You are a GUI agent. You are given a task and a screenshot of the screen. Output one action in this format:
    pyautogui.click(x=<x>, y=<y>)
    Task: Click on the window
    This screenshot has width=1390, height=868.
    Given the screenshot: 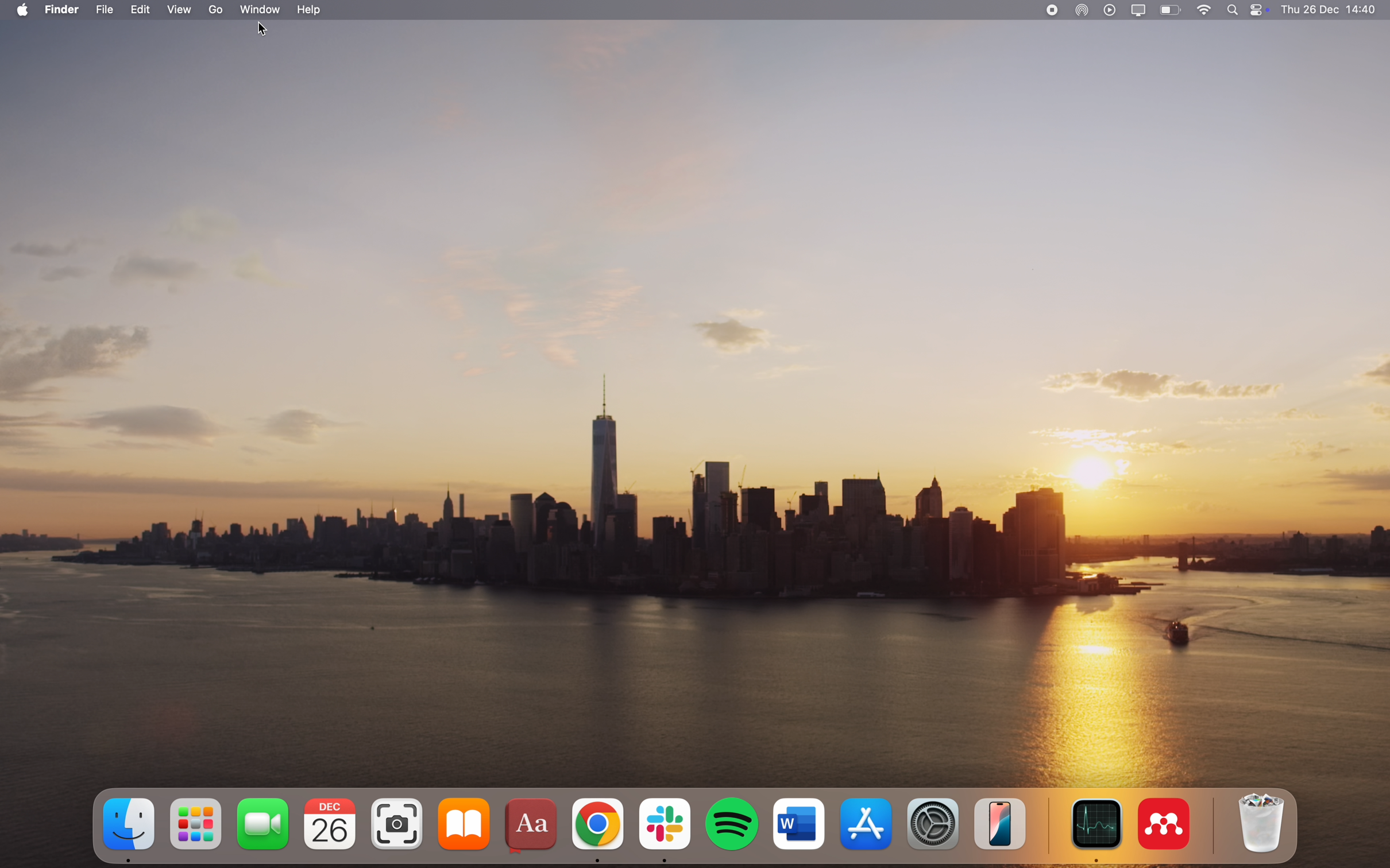 What is the action you would take?
    pyautogui.click(x=260, y=11)
    